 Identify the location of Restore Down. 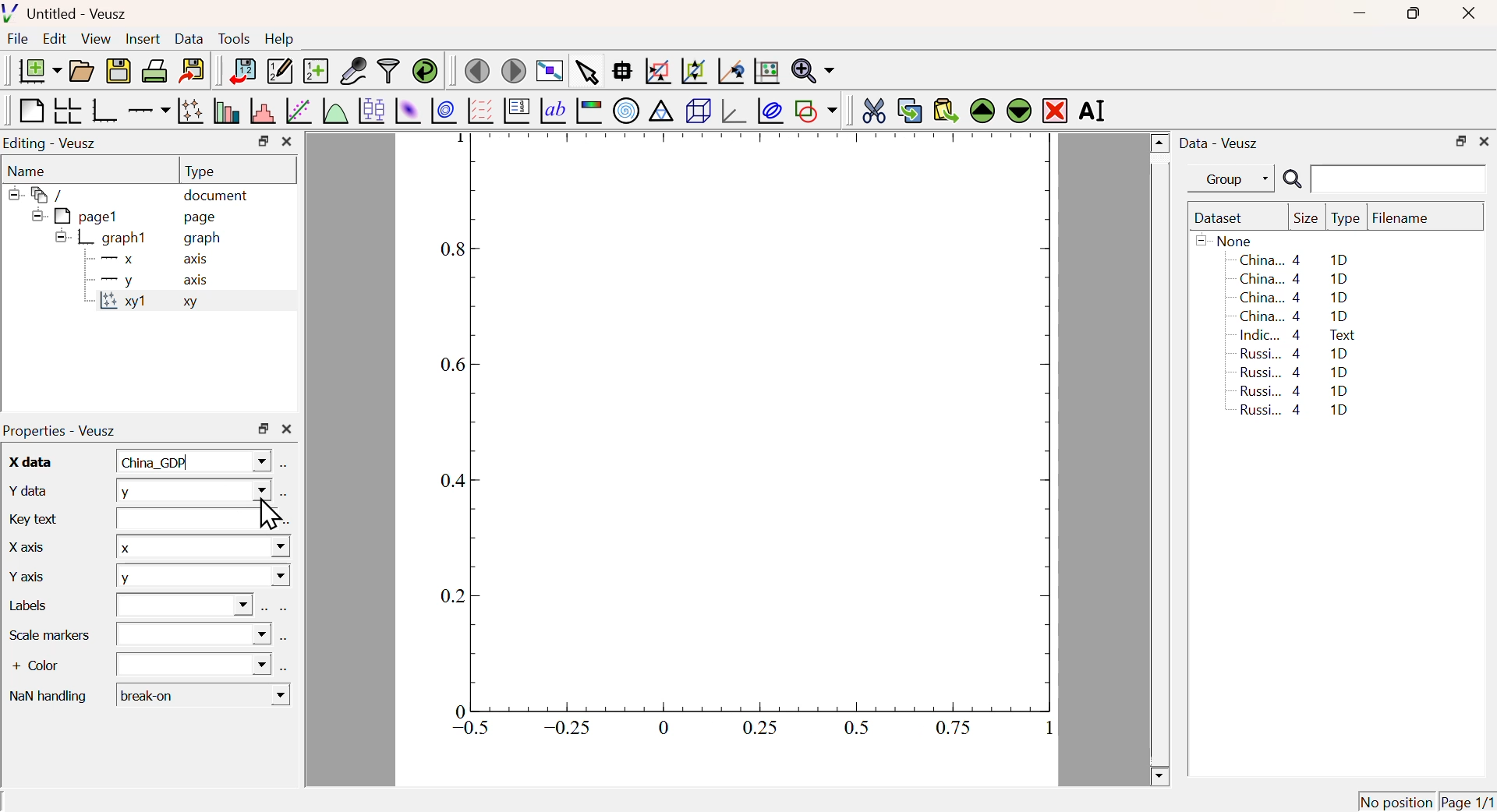
(1411, 13).